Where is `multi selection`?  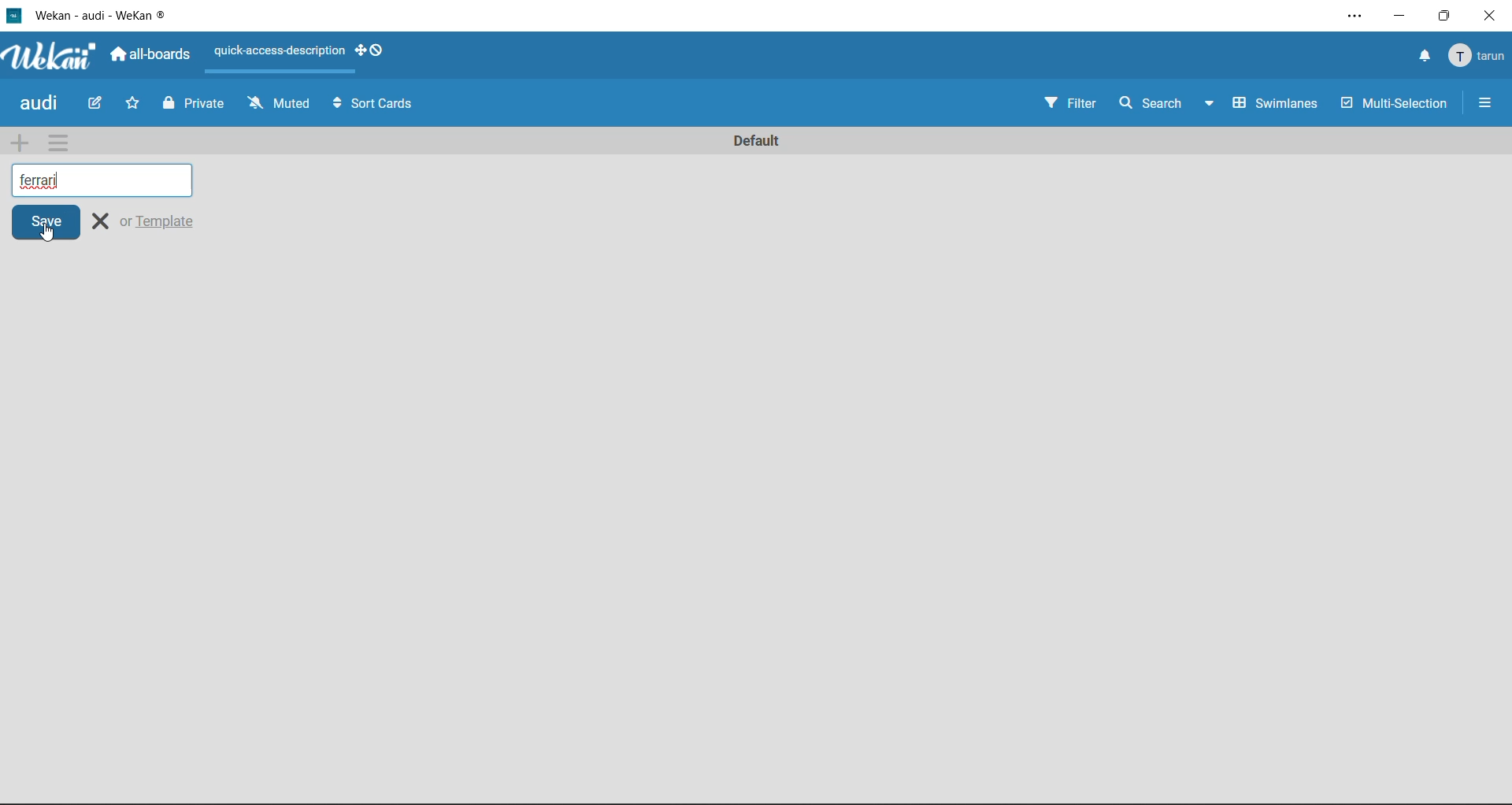 multi selection is located at coordinates (1392, 103).